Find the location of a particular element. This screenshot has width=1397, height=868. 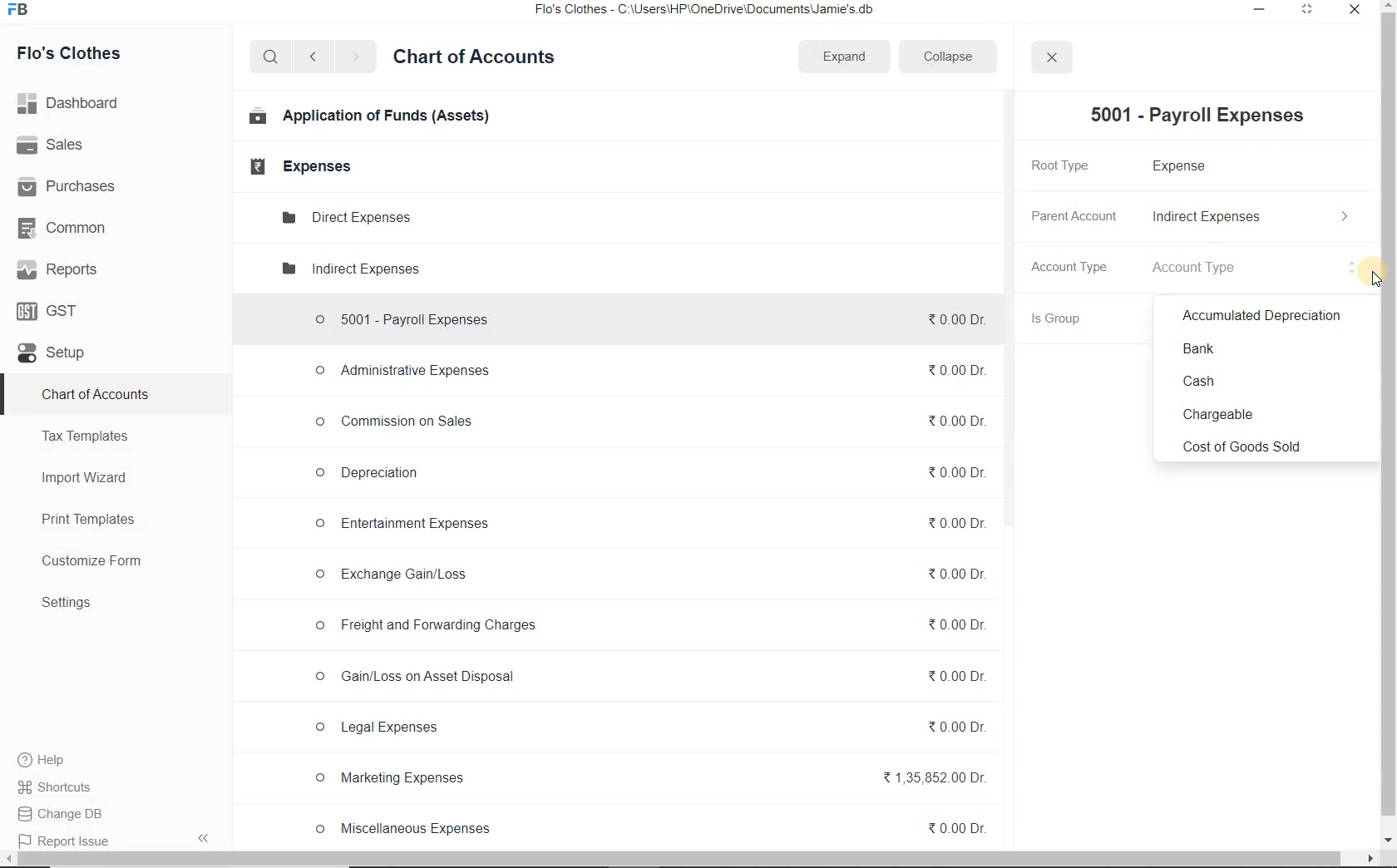

move left is located at coordinates (8, 859).